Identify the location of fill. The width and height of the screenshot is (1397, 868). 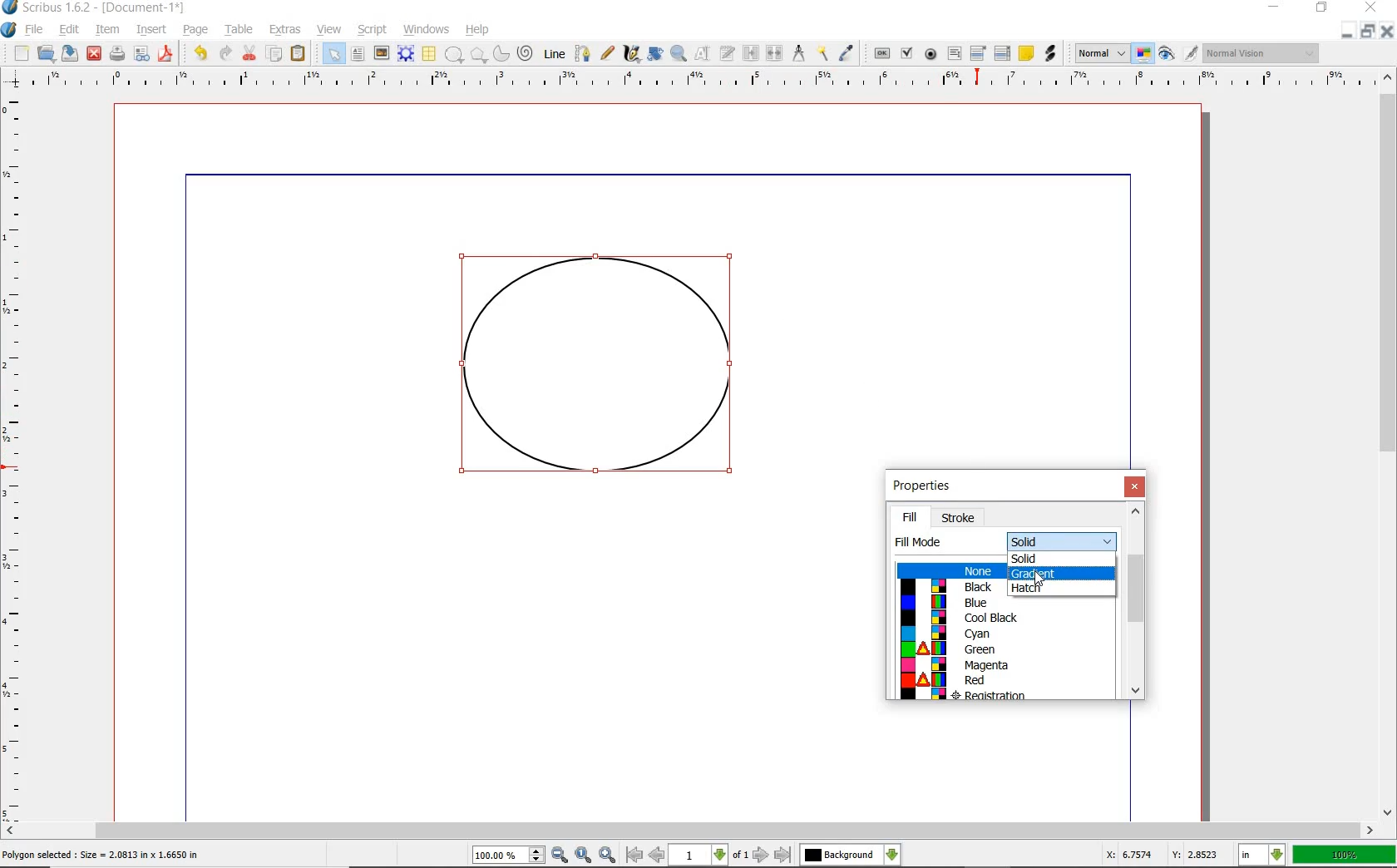
(910, 517).